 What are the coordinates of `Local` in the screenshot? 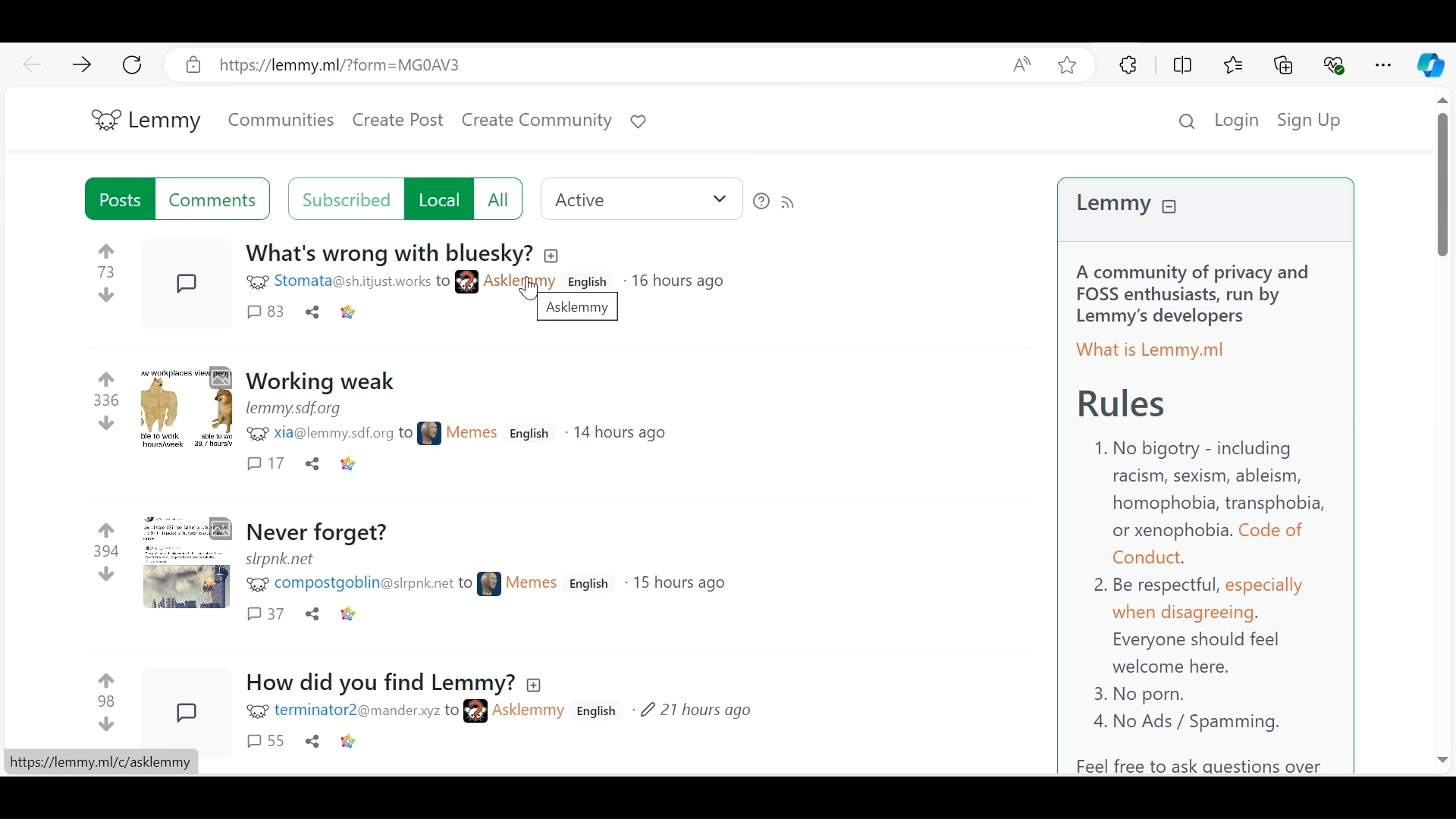 It's located at (438, 199).